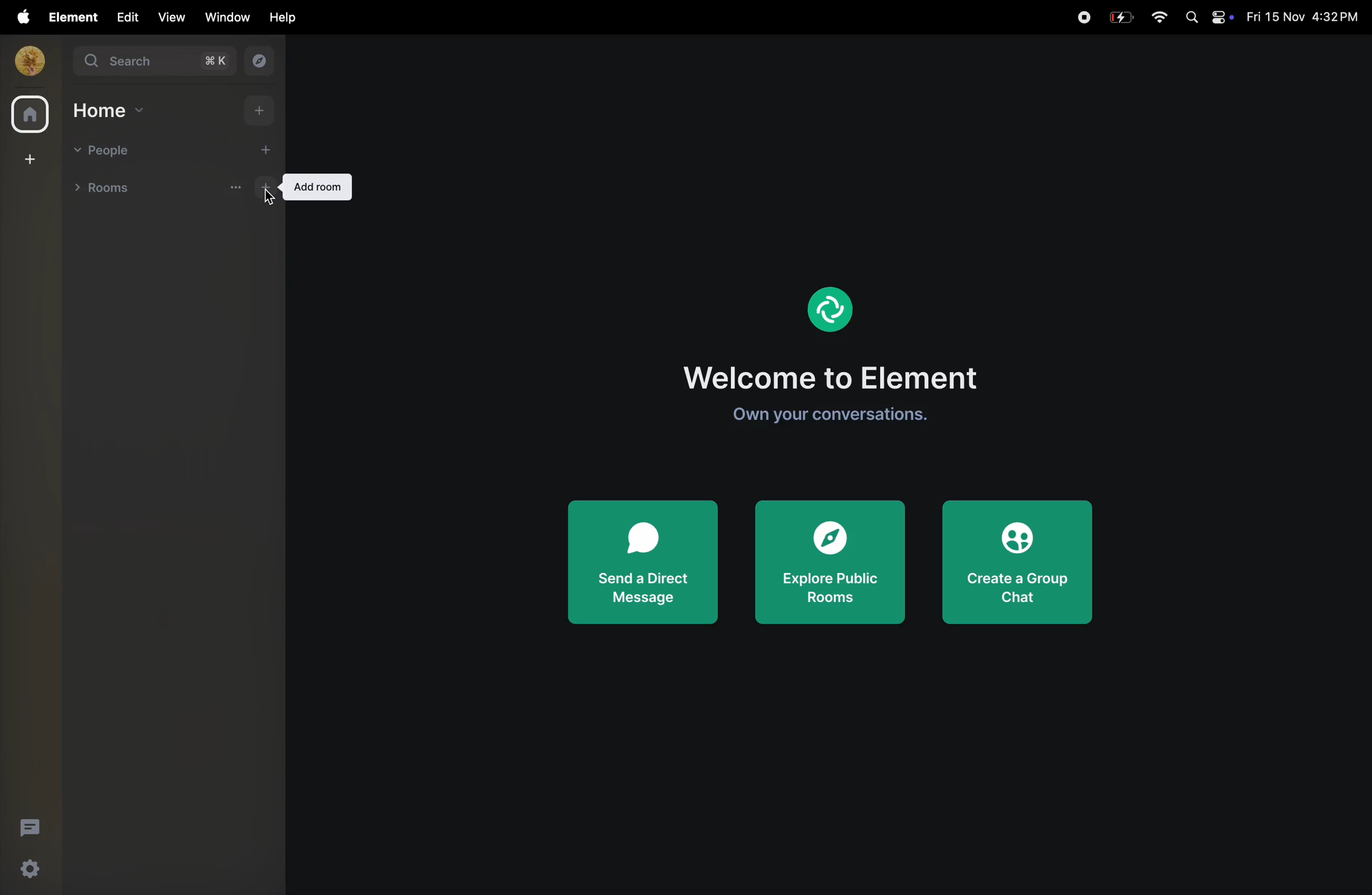 The image size is (1372, 895). I want to click on welcome to element , so click(842, 373).